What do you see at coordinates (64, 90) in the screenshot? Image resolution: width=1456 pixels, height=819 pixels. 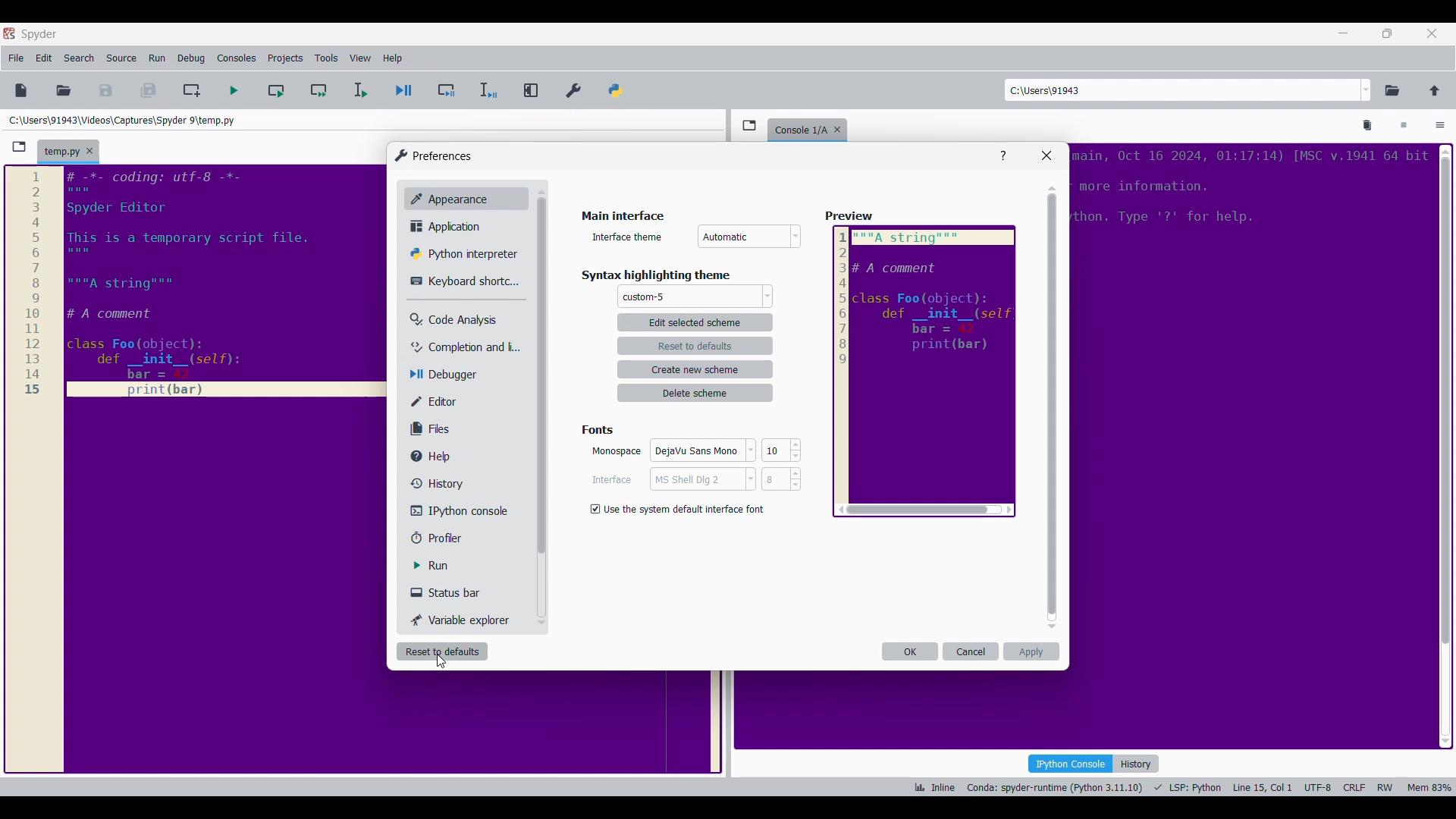 I see `Open` at bounding box center [64, 90].